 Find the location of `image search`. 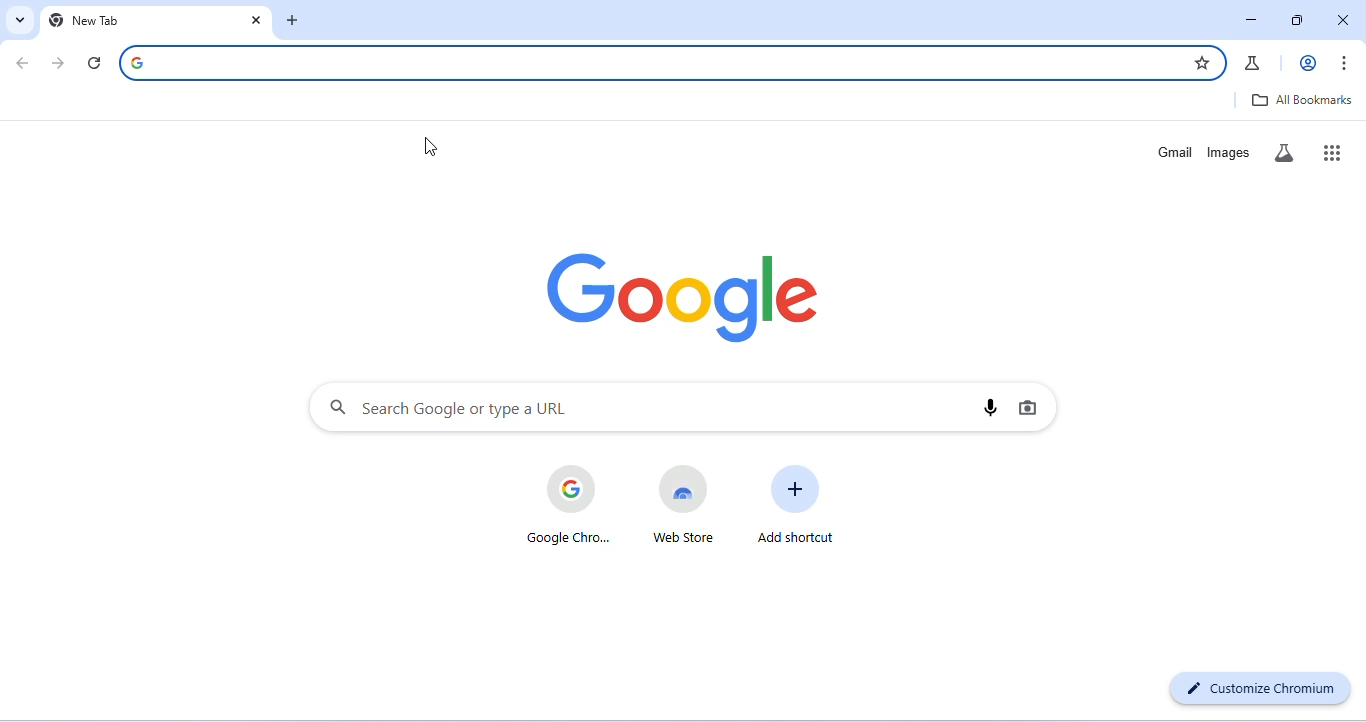

image search is located at coordinates (1029, 407).